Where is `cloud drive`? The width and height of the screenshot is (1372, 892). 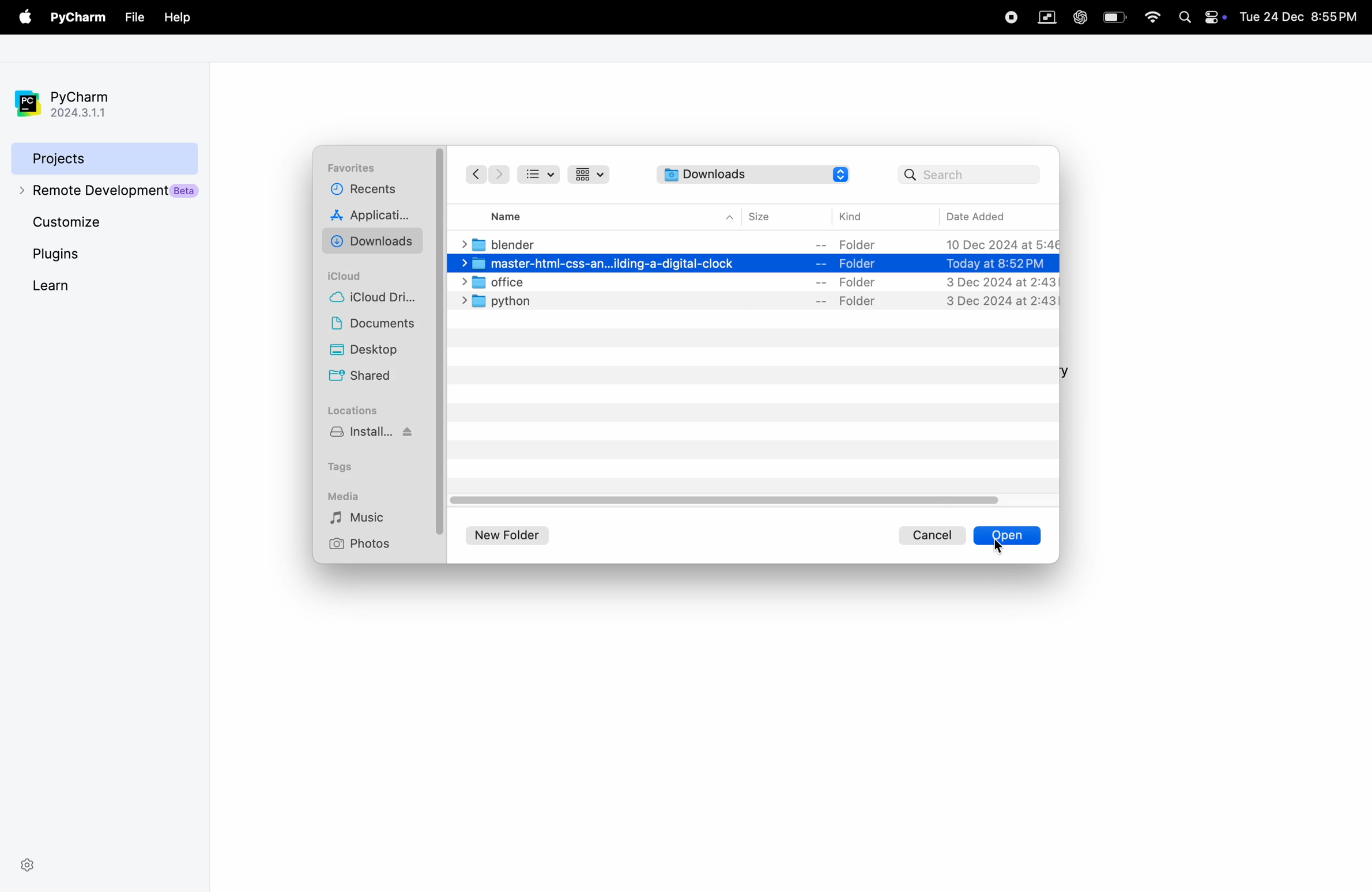 cloud drive is located at coordinates (378, 300).